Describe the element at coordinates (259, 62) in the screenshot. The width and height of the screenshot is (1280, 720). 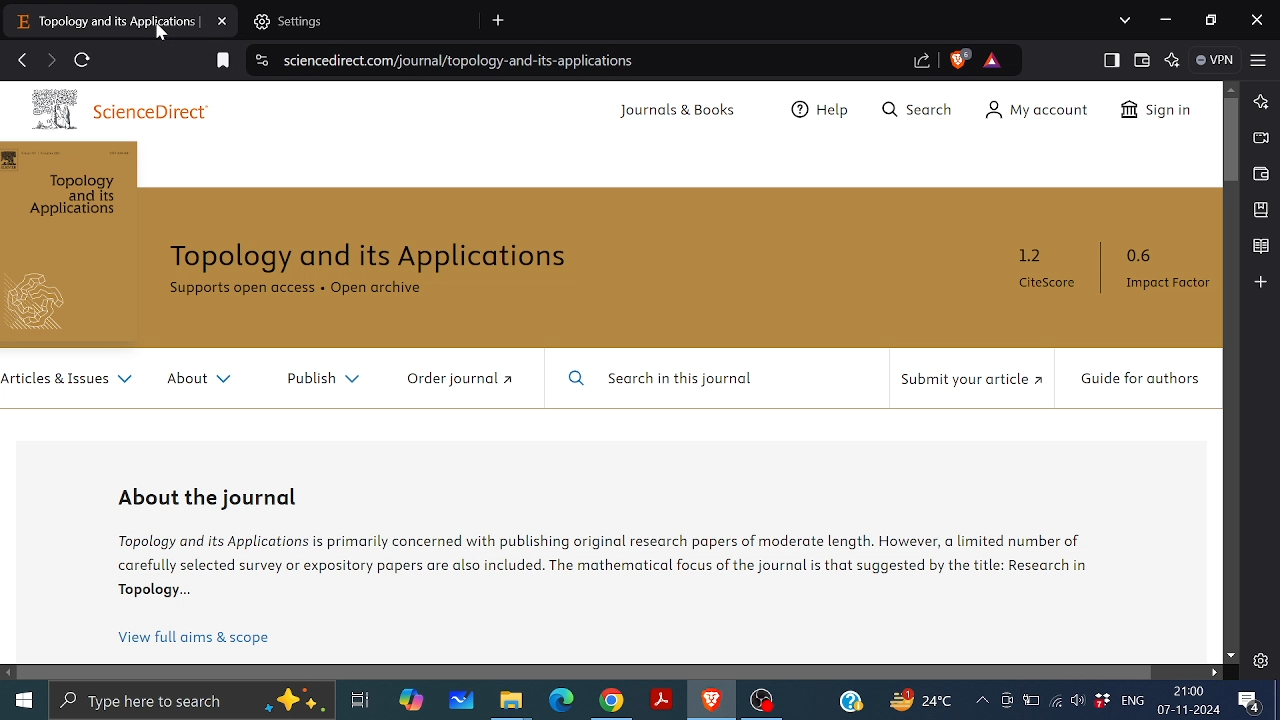
I see `View site information` at that location.